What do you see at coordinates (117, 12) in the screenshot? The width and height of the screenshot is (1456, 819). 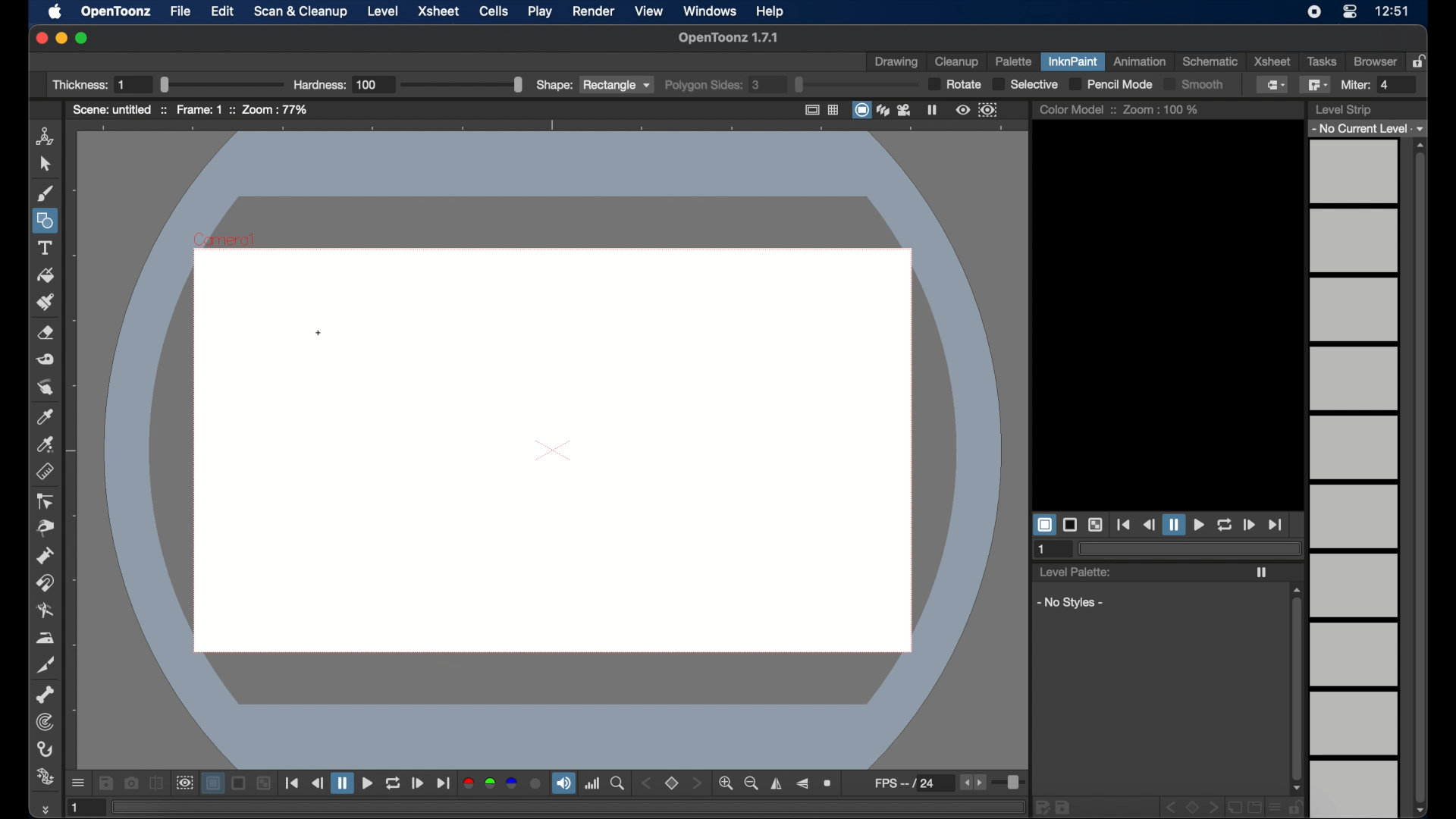 I see `opentoonz` at bounding box center [117, 12].